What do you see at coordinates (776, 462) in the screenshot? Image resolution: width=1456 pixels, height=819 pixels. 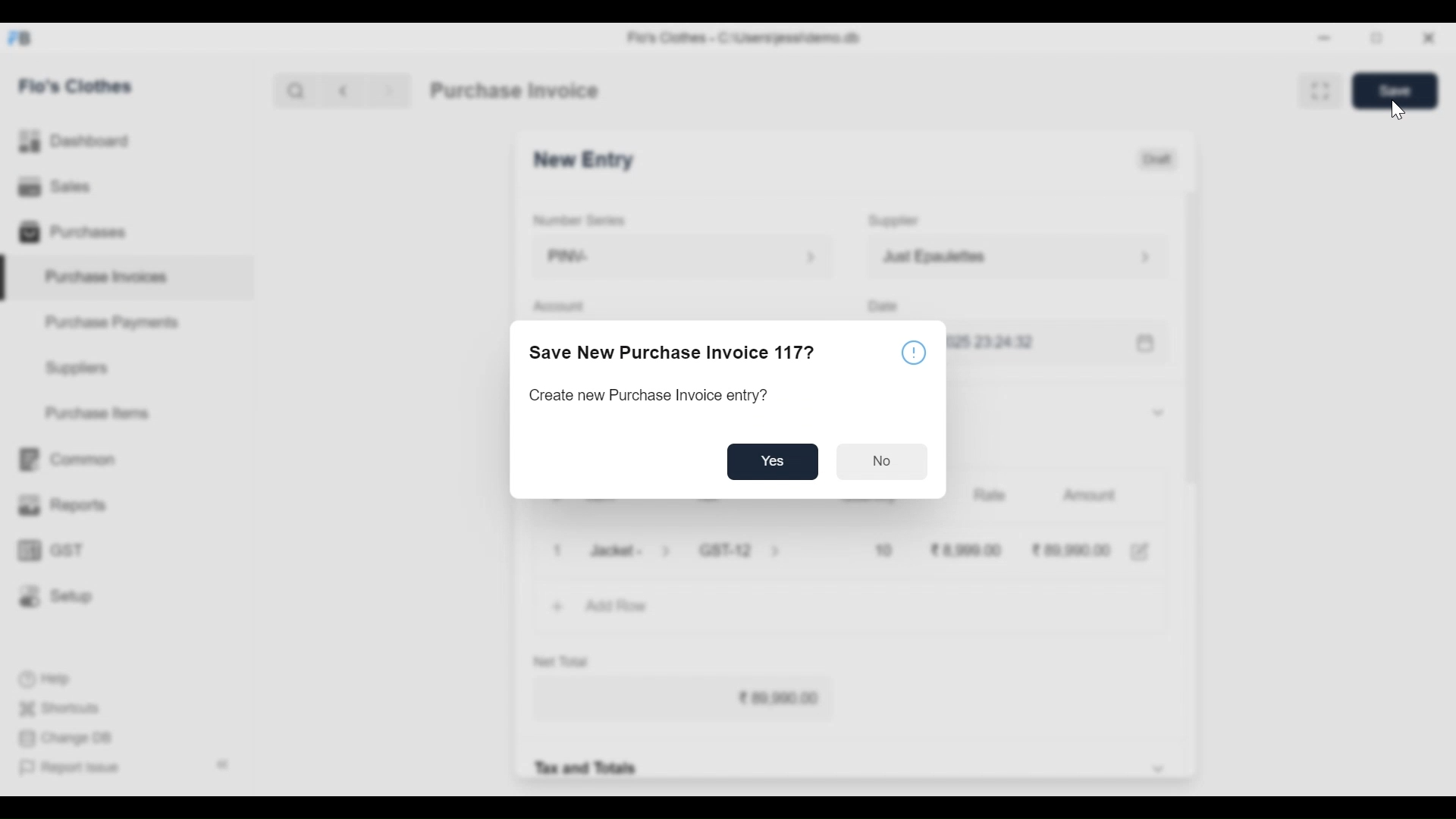 I see `Yes ` at bounding box center [776, 462].